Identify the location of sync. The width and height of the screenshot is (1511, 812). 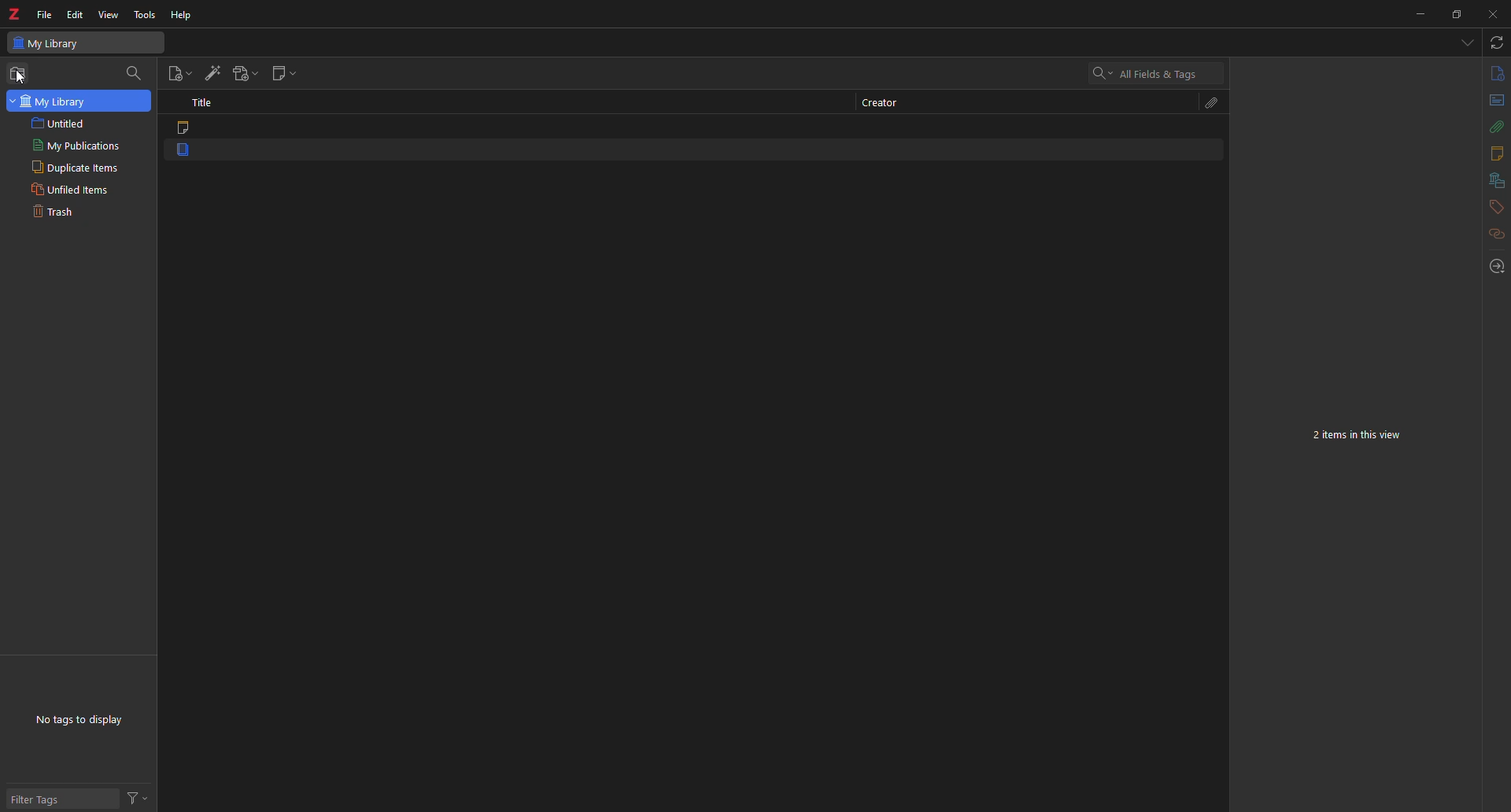
(1495, 43).